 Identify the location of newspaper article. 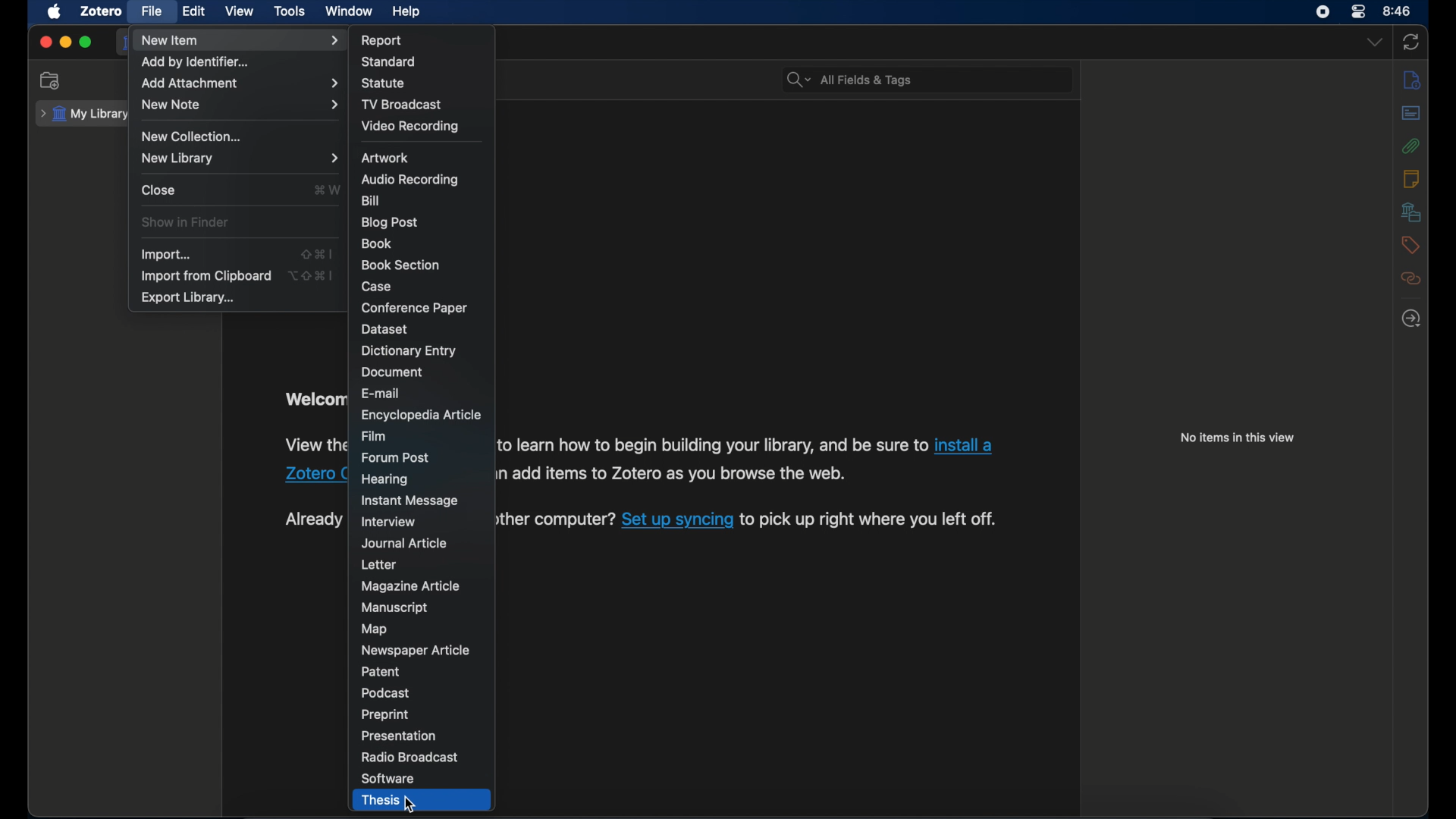
(416, 649).